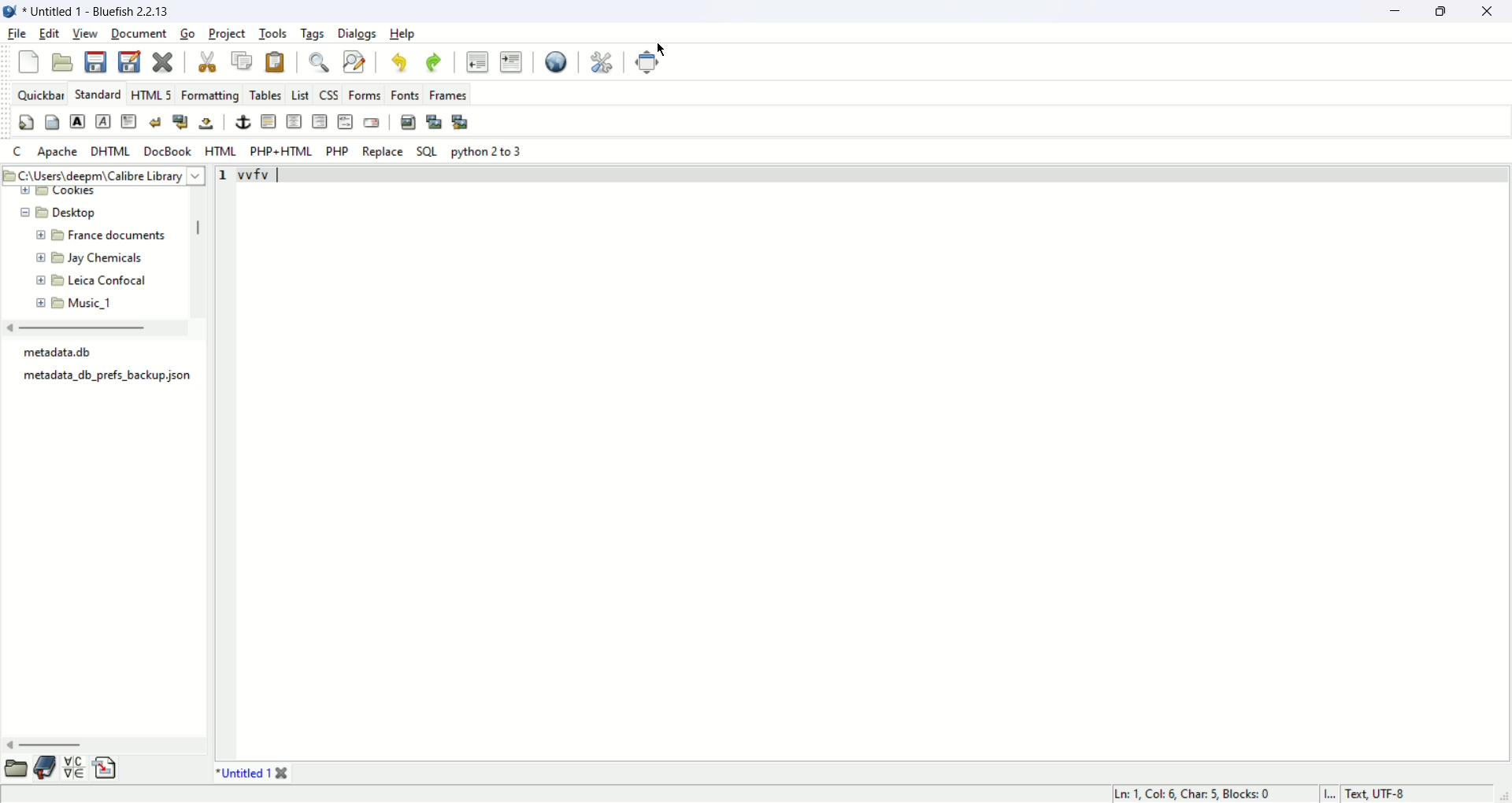 Image resolution: width=1512 pixels, height=803 pixels. What do you see at coordinates (102, 10) in the screenshot?
I see `title` at bounding box center [102, 10].